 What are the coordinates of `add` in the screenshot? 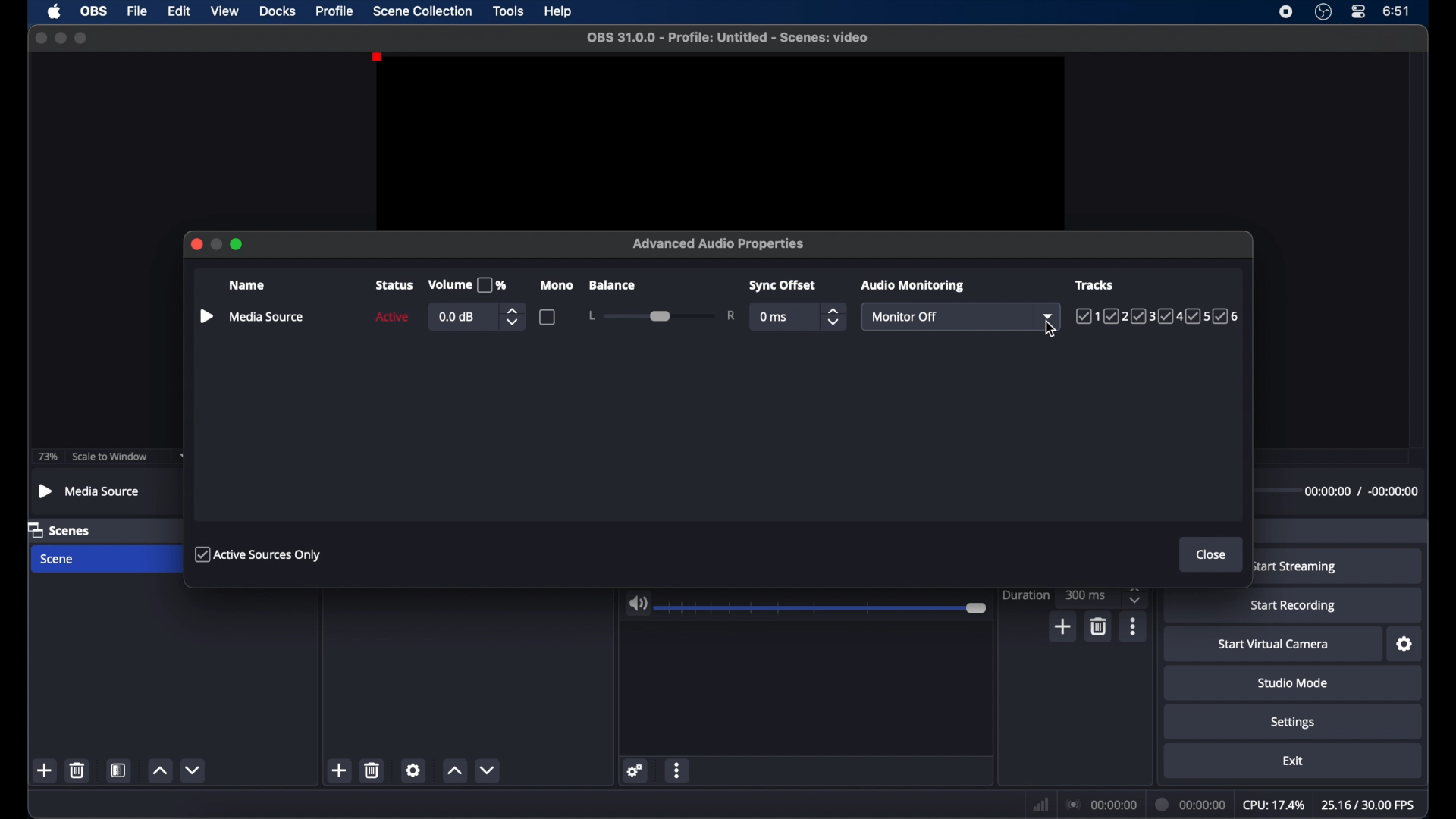 It's located at (340, 770).